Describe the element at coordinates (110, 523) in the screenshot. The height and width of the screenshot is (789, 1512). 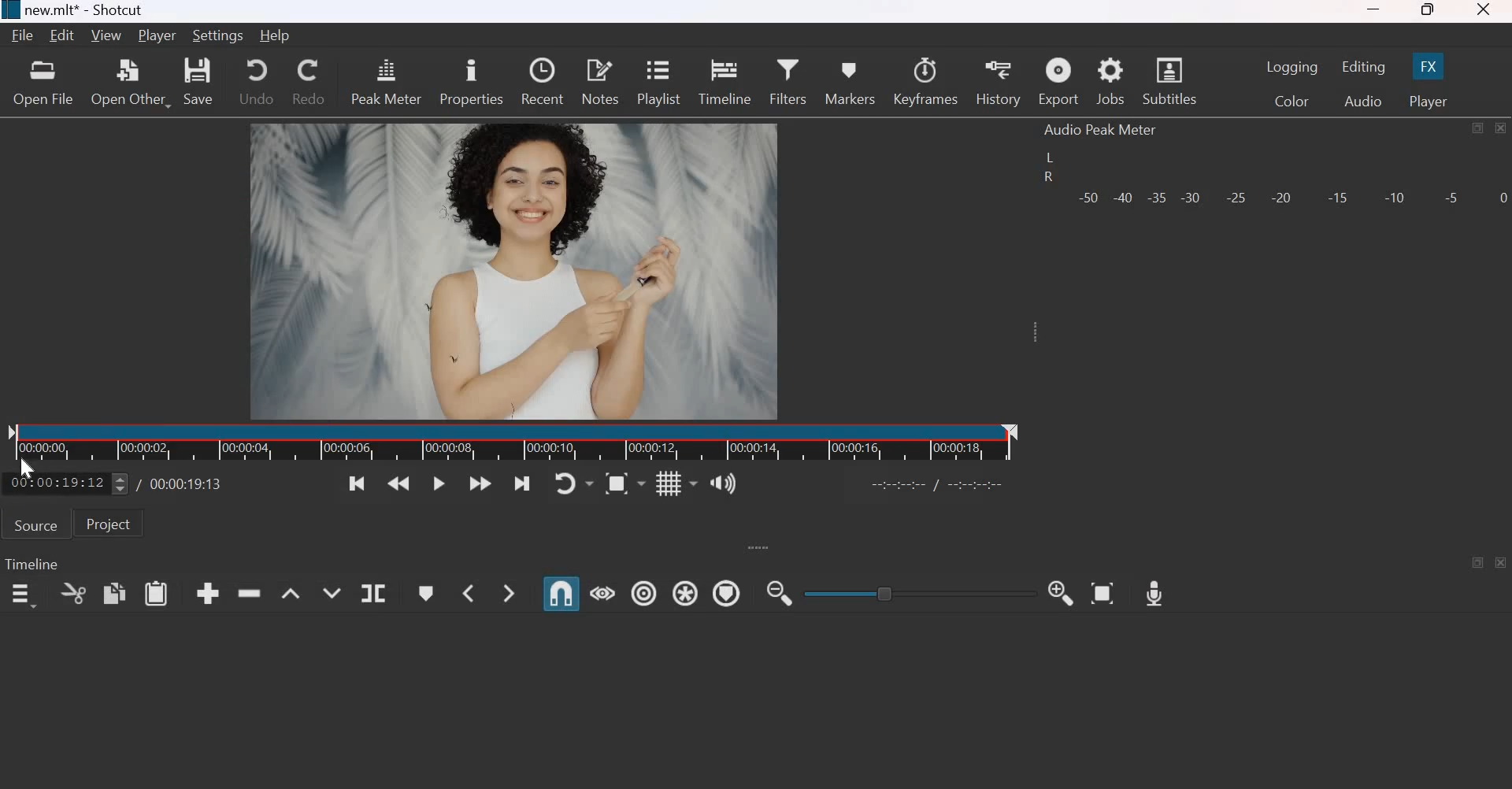
I see `Project` at that location.